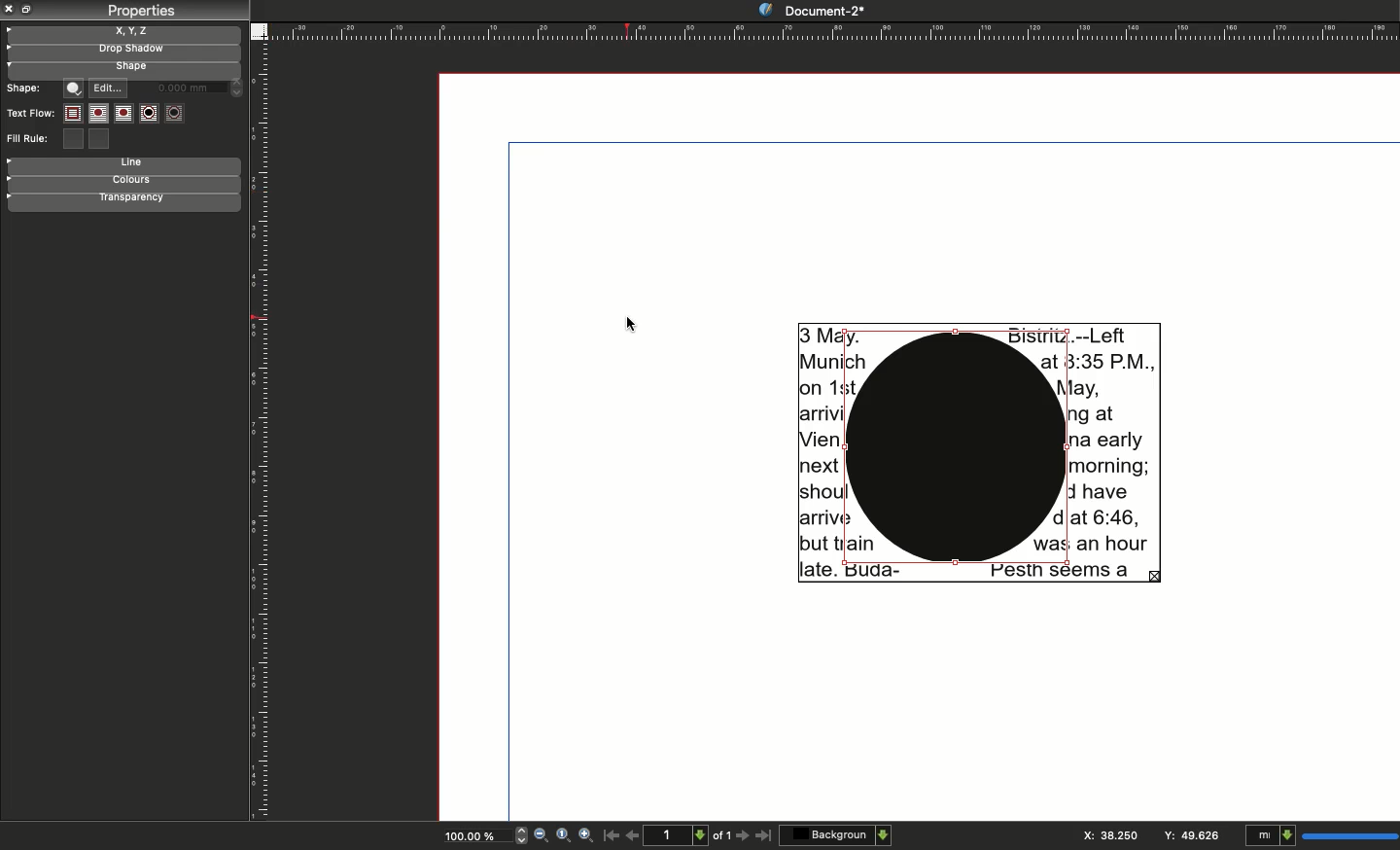 The height and width of the screenshot is (850, 1400). What do you see at coordinates (542, 834) in the screenshot?
I see `Zoom out` at bounding box center [542, 834].